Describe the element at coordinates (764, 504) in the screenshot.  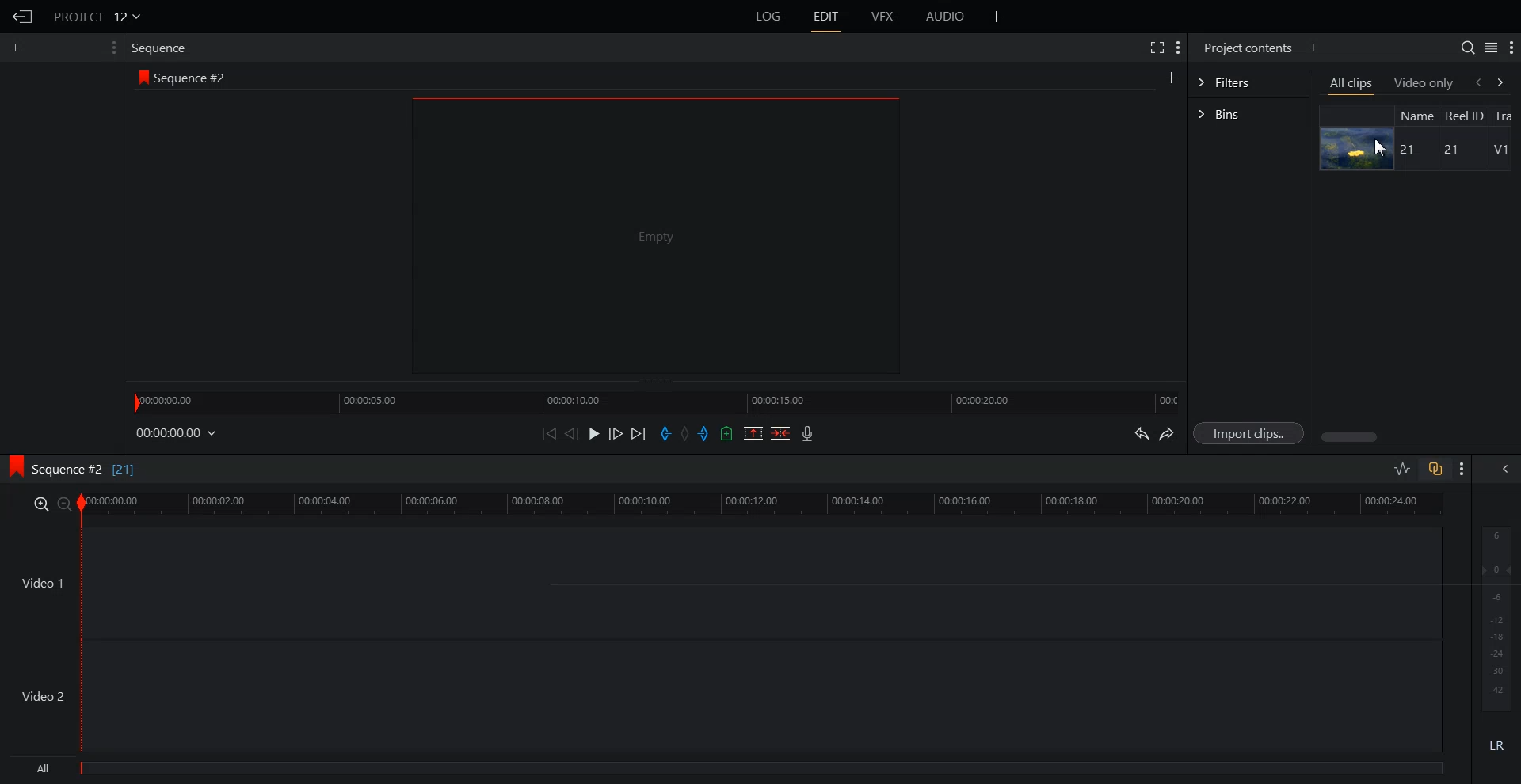
I see `Timeline` at that location.